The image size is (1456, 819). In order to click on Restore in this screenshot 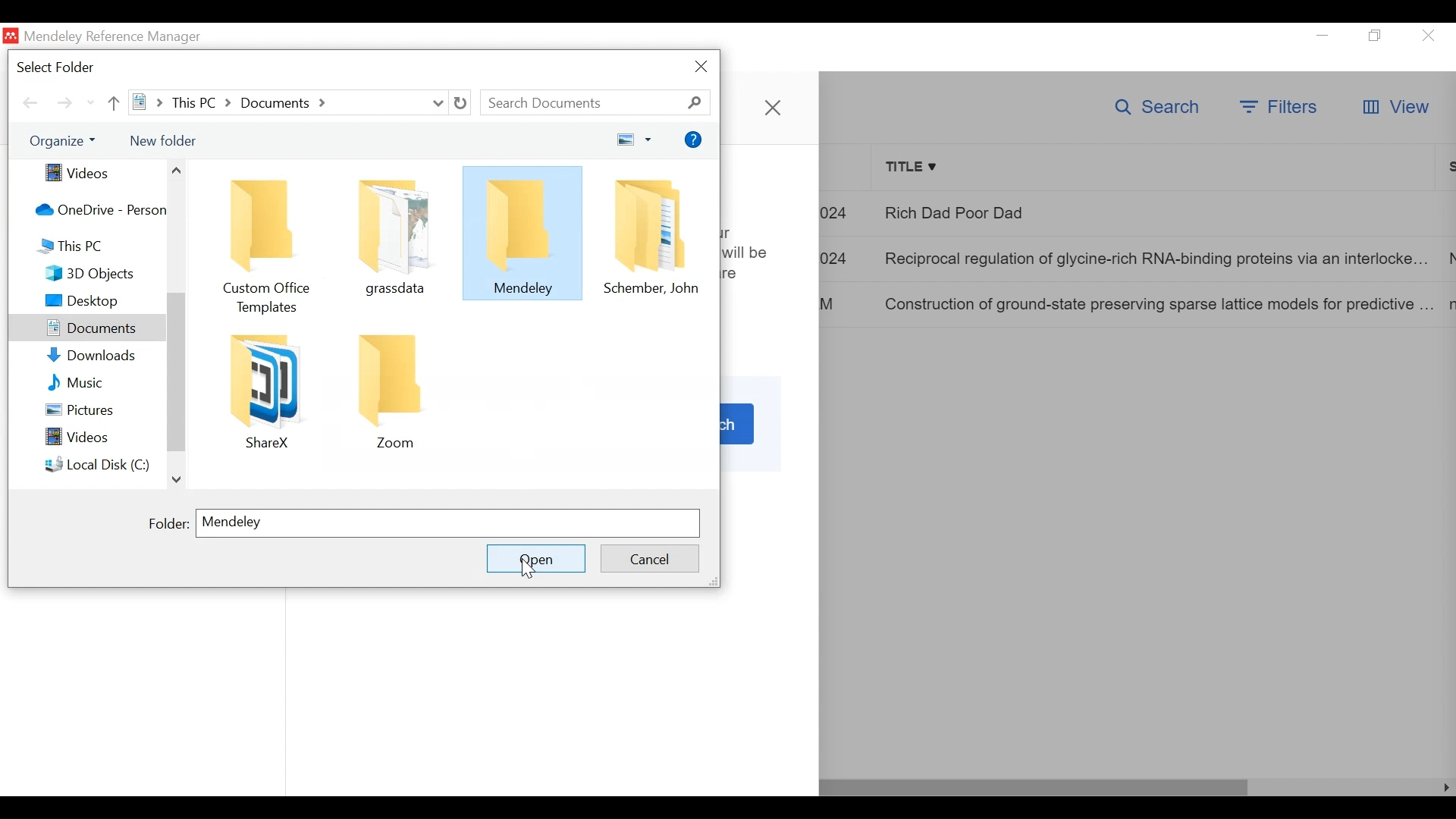, I will do `click(1378, 35)`.